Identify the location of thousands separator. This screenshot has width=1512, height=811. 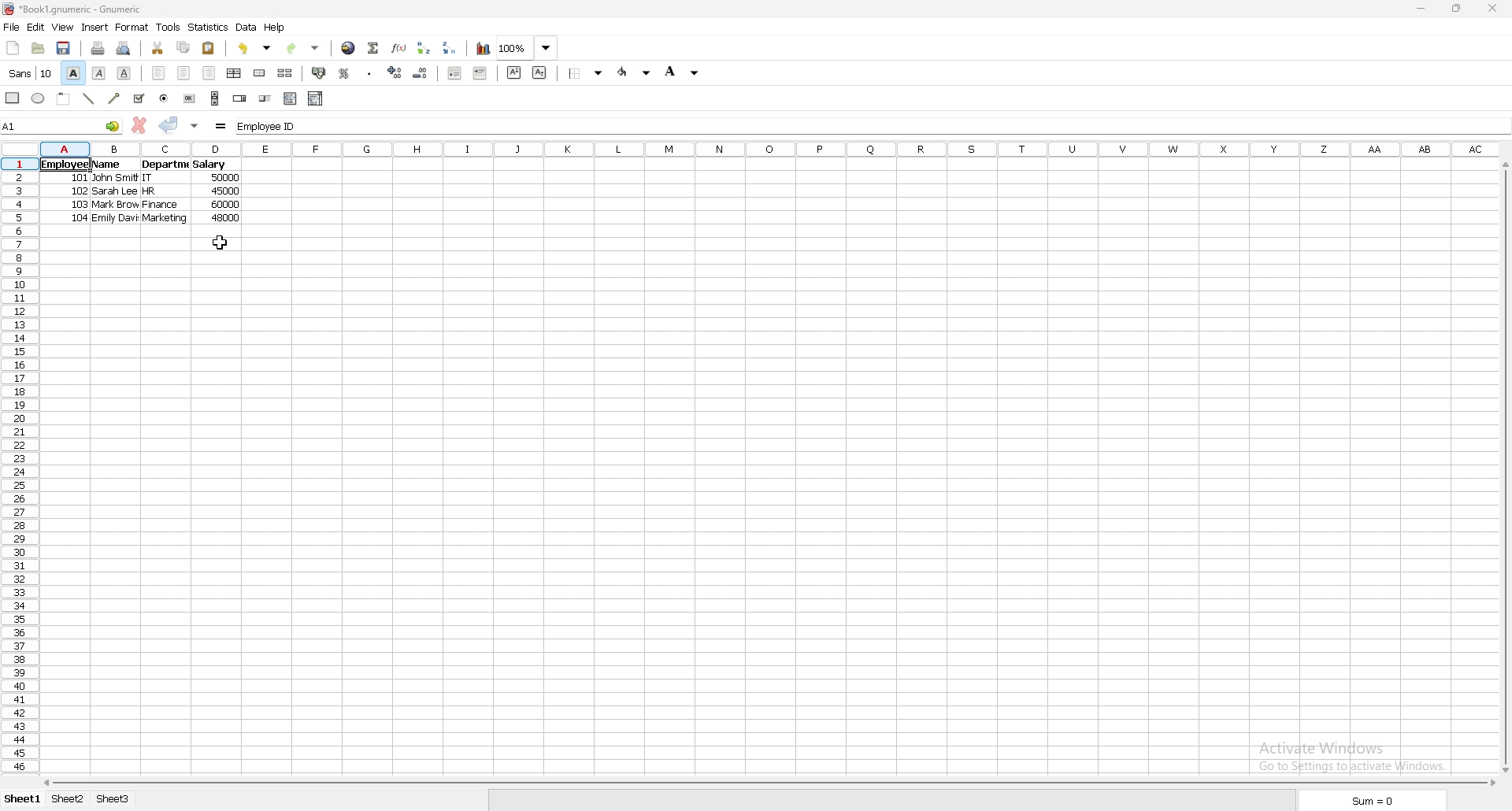
(369, 72).